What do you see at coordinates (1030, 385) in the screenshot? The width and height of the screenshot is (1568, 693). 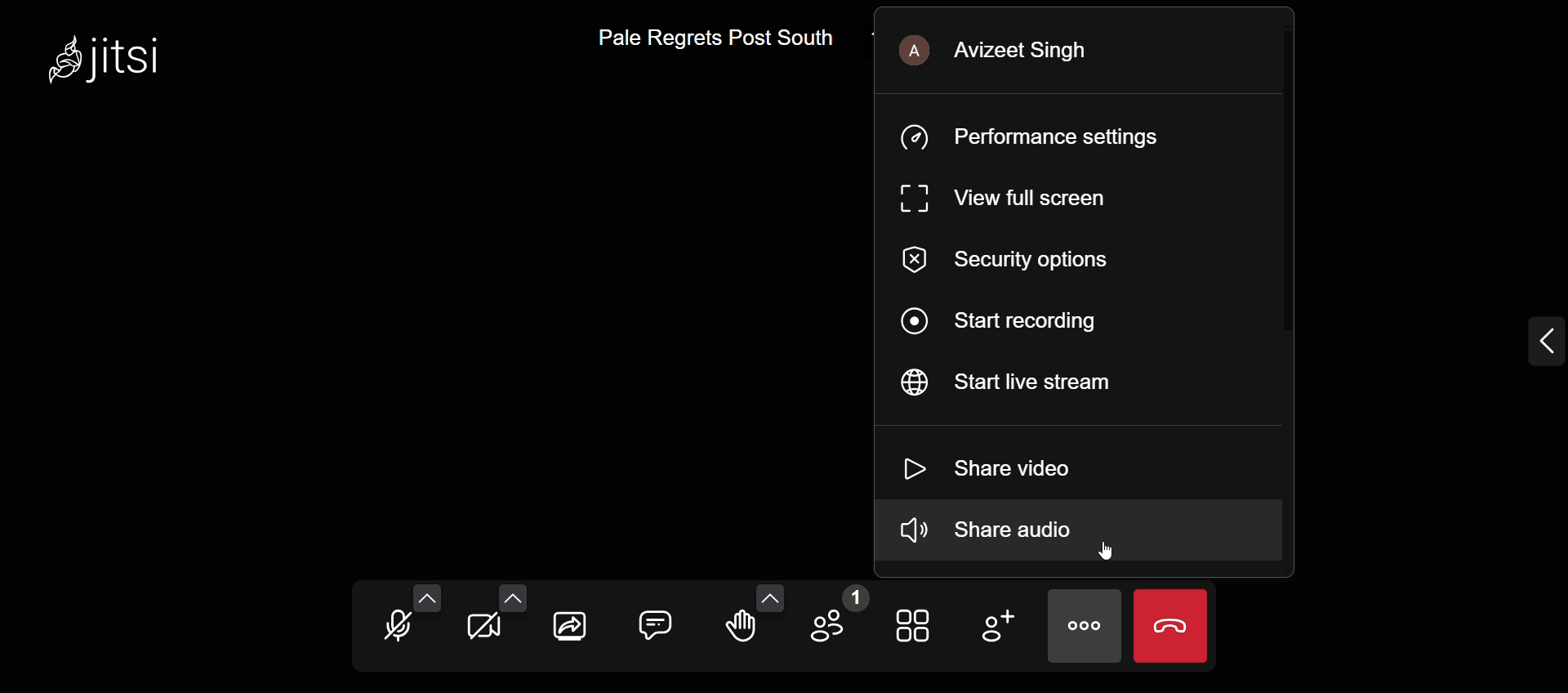 I see `start live stream` at bounding box center [1030, 385].